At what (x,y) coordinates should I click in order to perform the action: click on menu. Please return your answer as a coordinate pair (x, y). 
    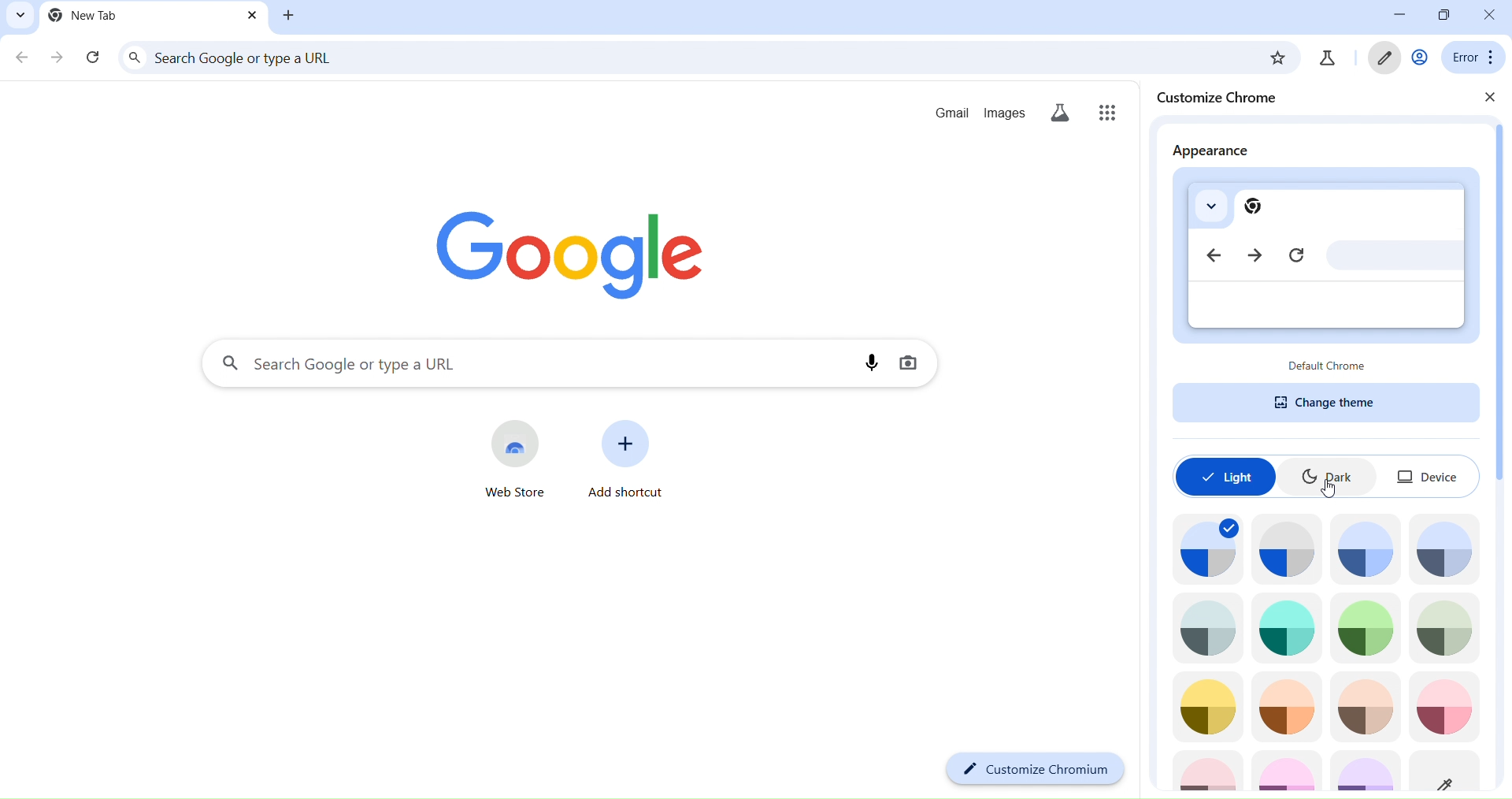
    Looking at the image, I should click on (1468, 57).